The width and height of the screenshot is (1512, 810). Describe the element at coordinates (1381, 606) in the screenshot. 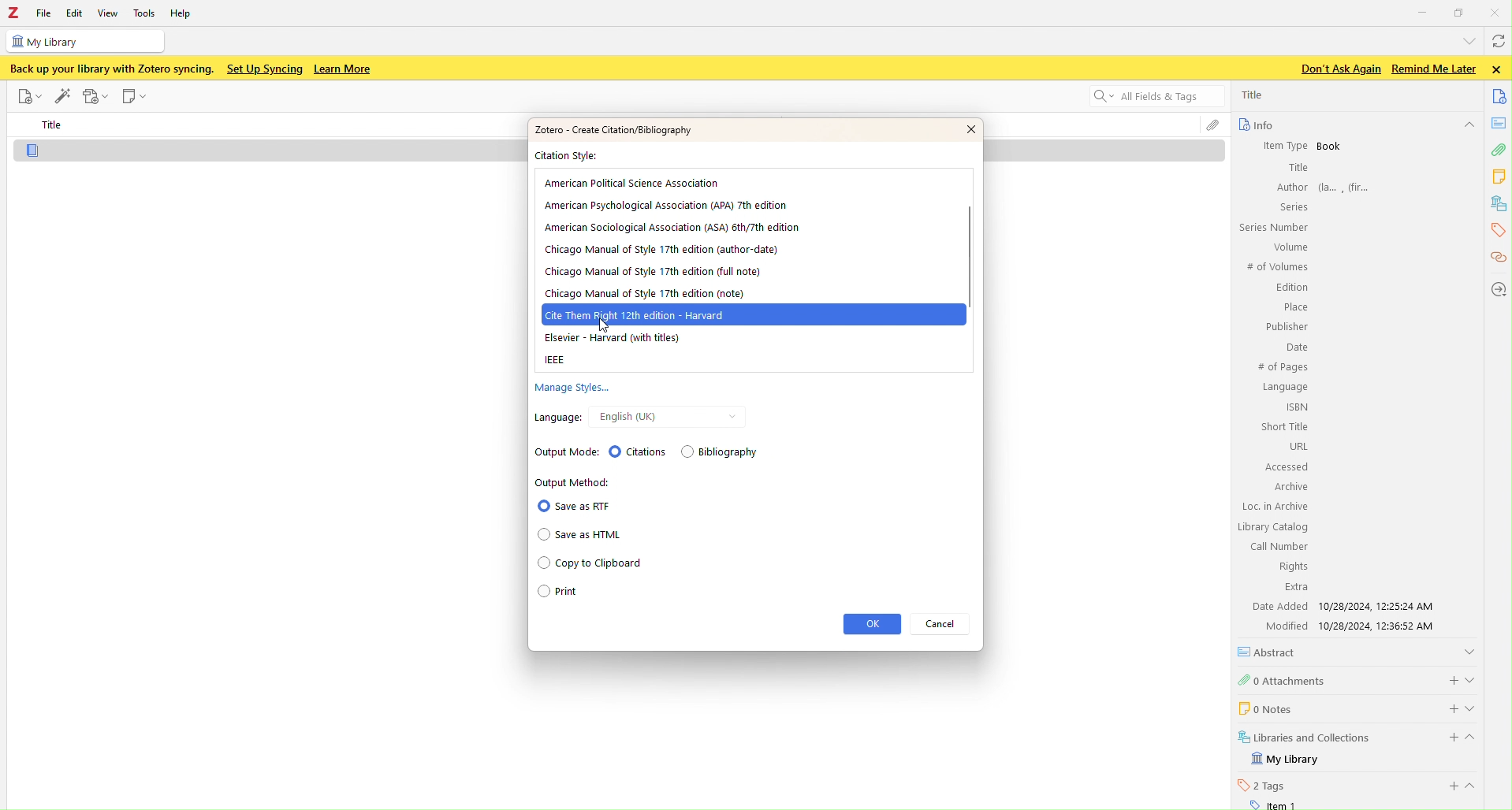

I see `10/28/2024, 12:25:24 AM` at that location.